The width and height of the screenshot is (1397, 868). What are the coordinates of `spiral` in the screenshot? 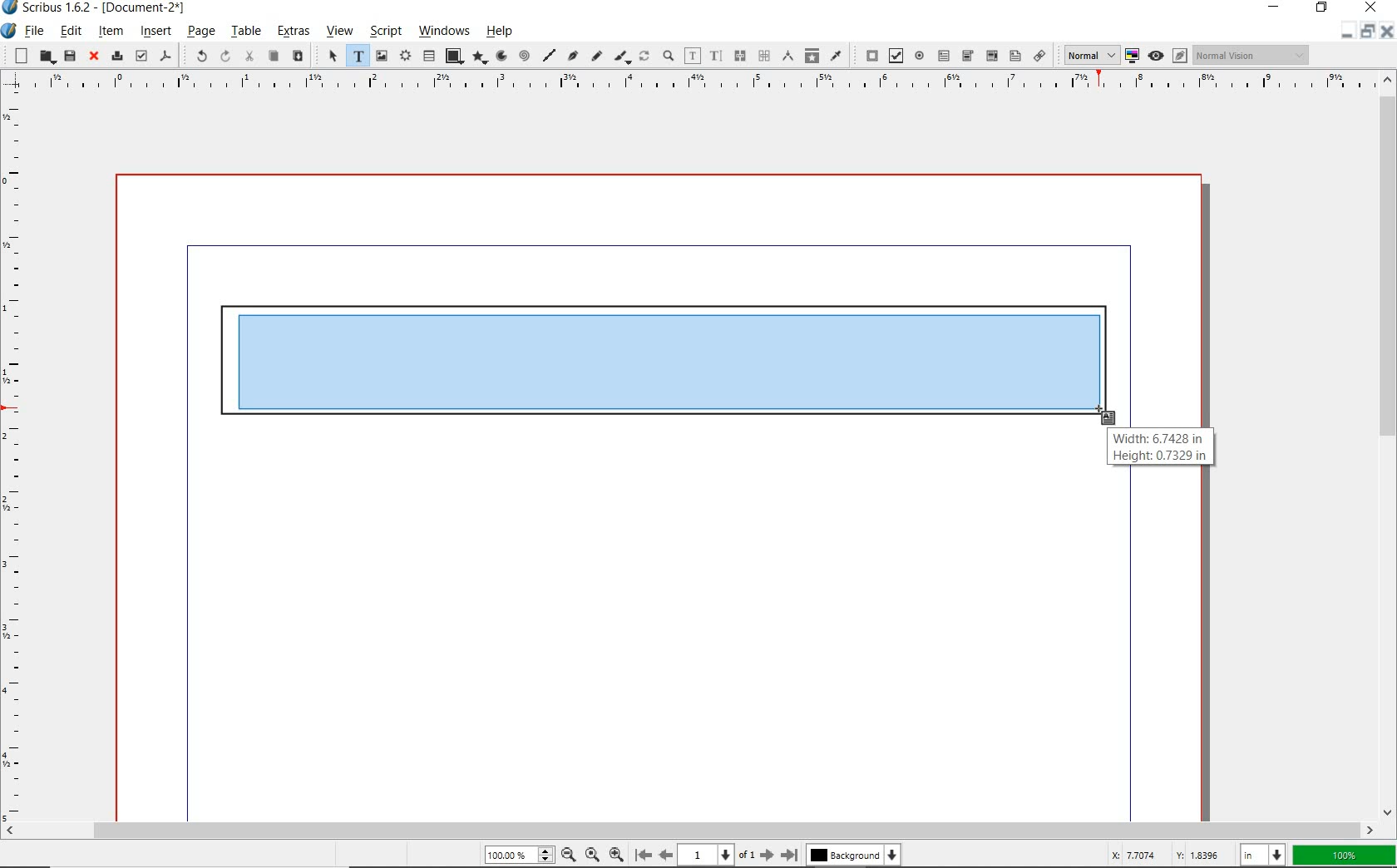 It's located at (526, 56).